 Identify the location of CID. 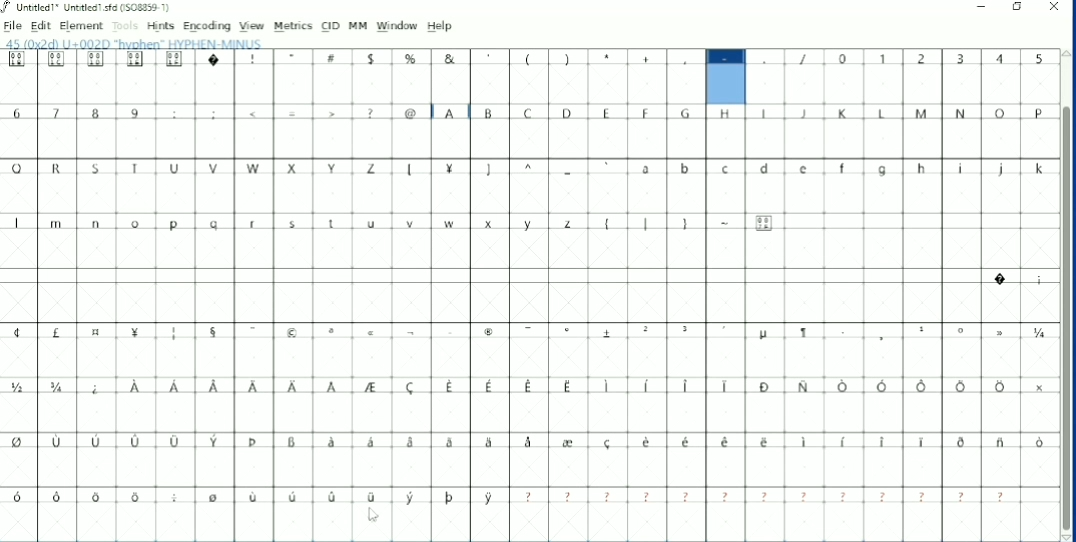
(331, 26).